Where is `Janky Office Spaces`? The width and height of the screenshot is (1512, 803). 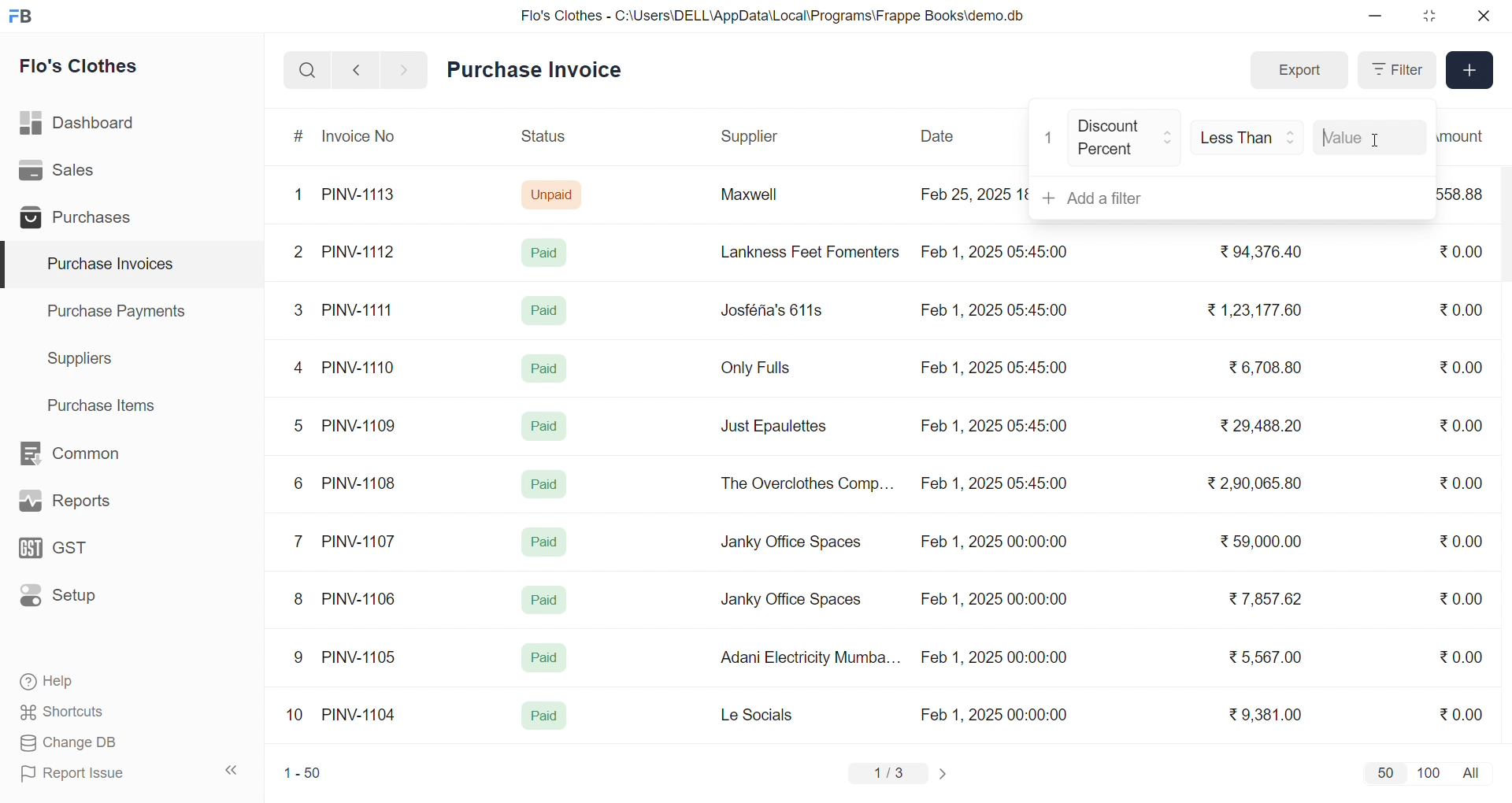
Janky Office Spaces is located at coordinates (791, 601).